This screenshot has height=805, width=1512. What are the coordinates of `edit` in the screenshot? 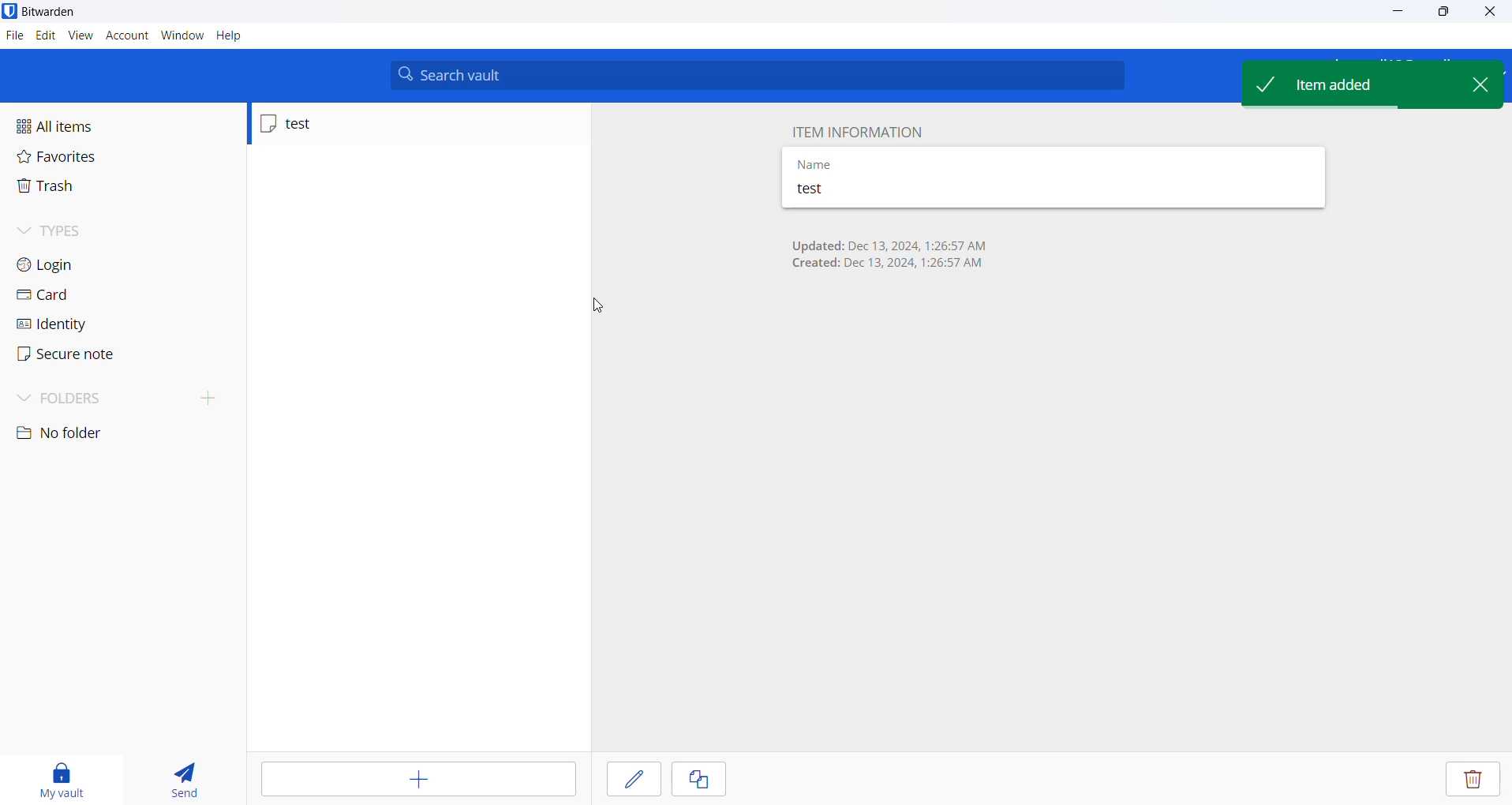 It's located at (631, 778).